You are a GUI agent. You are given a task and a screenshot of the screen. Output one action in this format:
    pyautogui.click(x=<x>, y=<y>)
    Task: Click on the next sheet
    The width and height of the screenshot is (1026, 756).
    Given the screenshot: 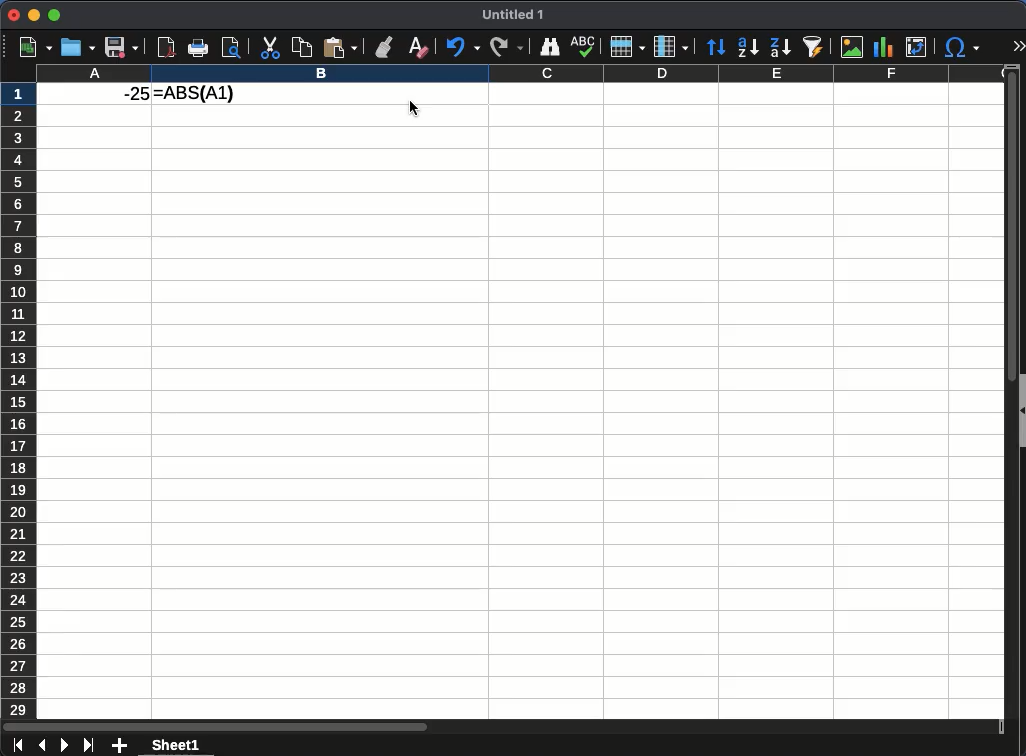 What is the action you would take?
    pyautogui.click(x=63, y=746)
    